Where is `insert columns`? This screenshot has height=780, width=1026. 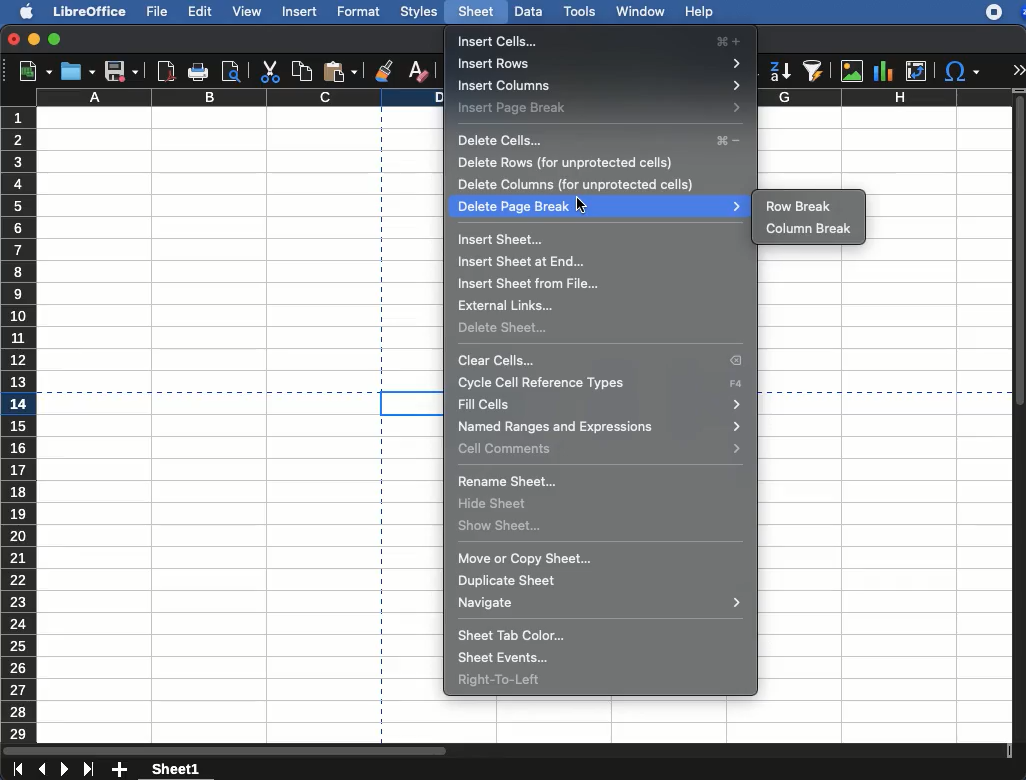 insert columns is located at coordinates (601, 86).